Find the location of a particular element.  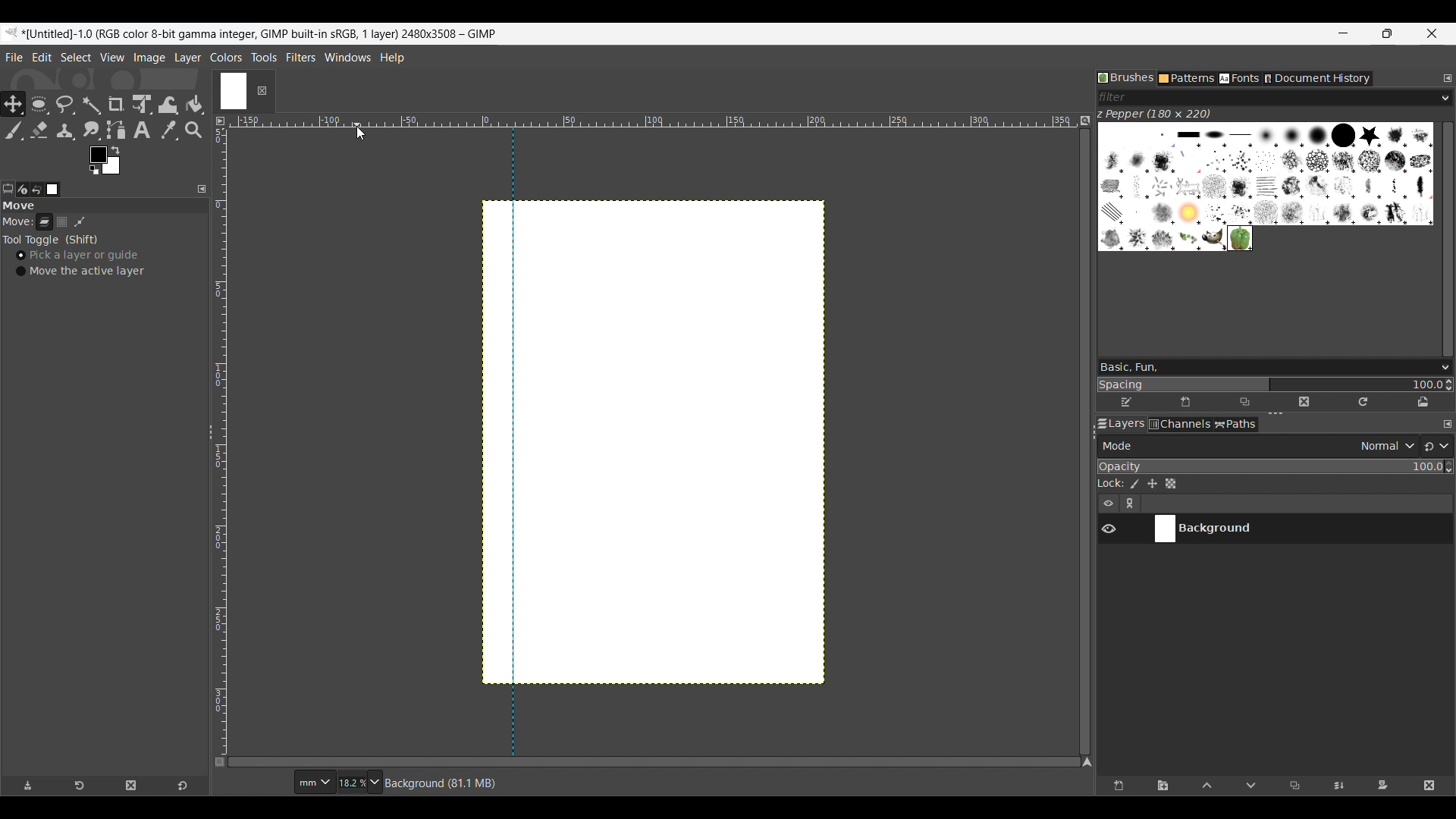

Channels tab is located at coordinates (1180, 424).